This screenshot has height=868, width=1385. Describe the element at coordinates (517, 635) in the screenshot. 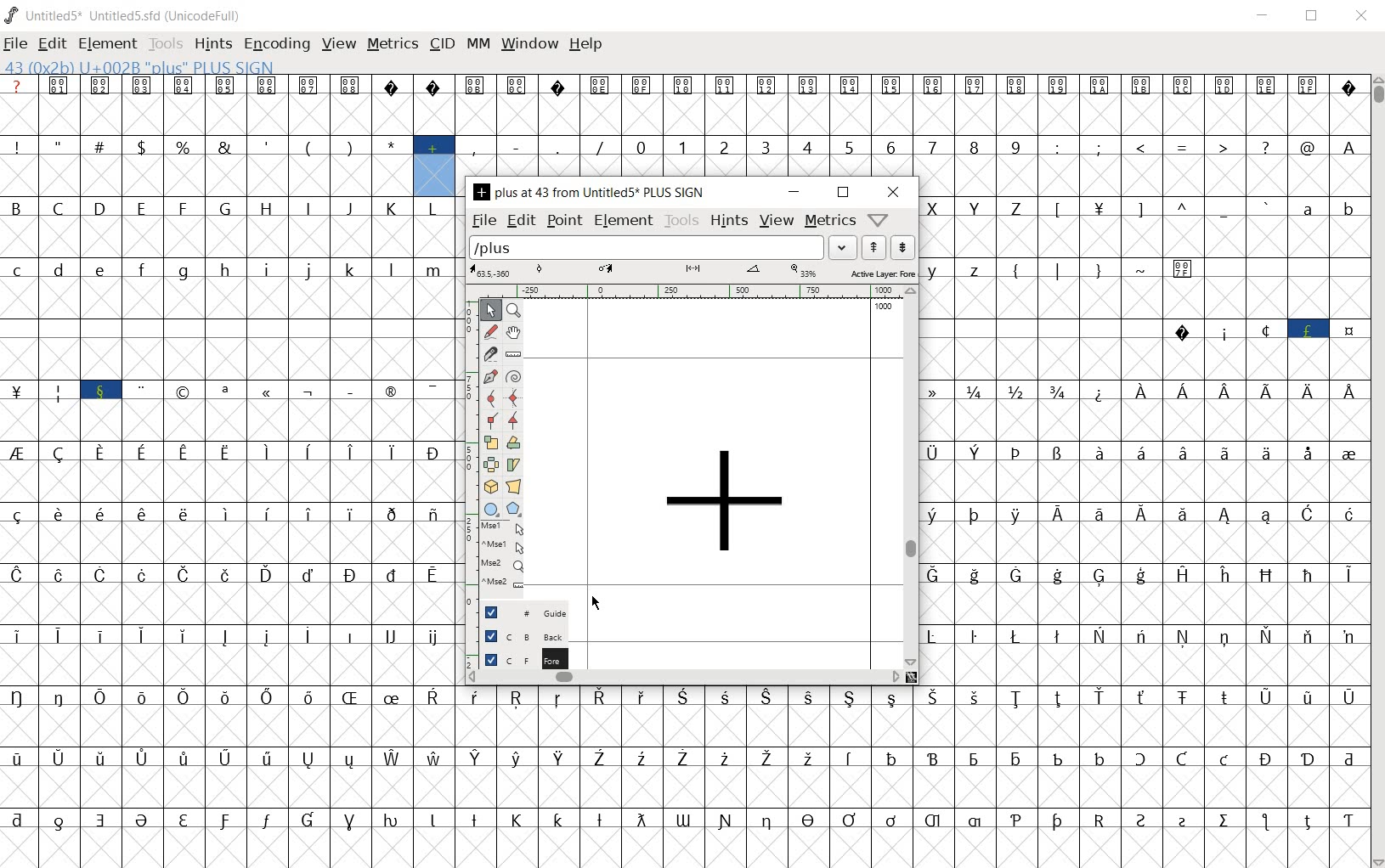

I see `background` at that location.